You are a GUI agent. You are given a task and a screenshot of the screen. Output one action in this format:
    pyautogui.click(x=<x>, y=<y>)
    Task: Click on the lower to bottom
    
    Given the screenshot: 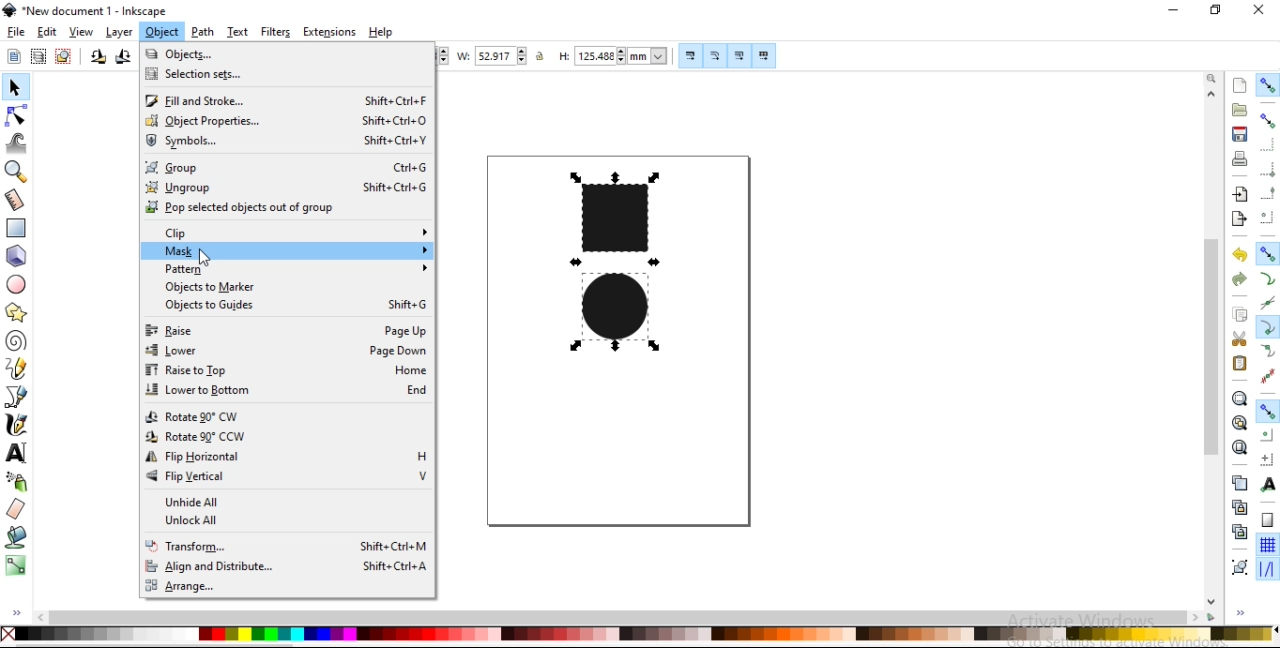 What is the action you would take?
    pyautogui.click(x=286, y=391)
    